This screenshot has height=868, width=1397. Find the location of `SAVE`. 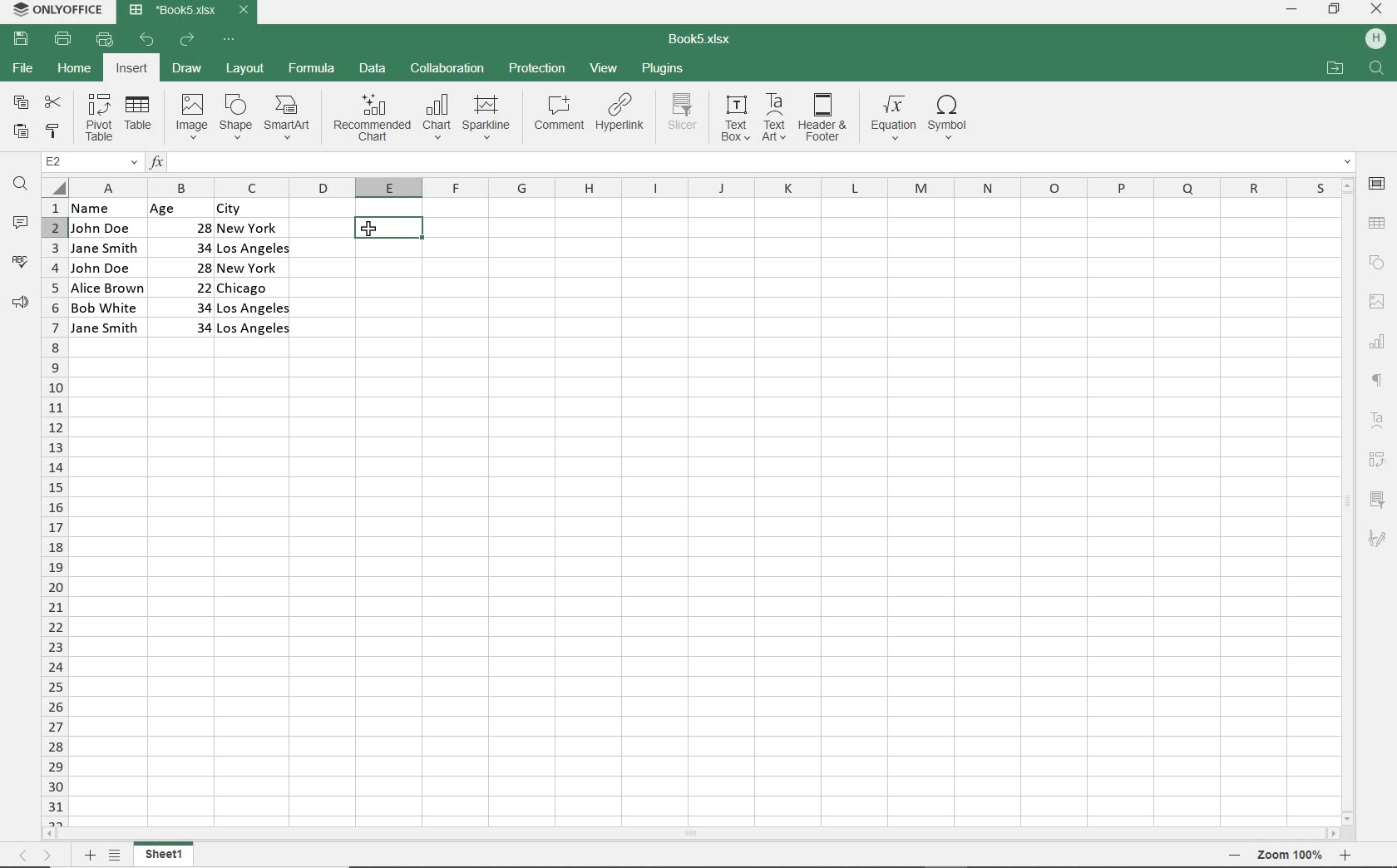

SAVE is located at coordinates (20, 40).